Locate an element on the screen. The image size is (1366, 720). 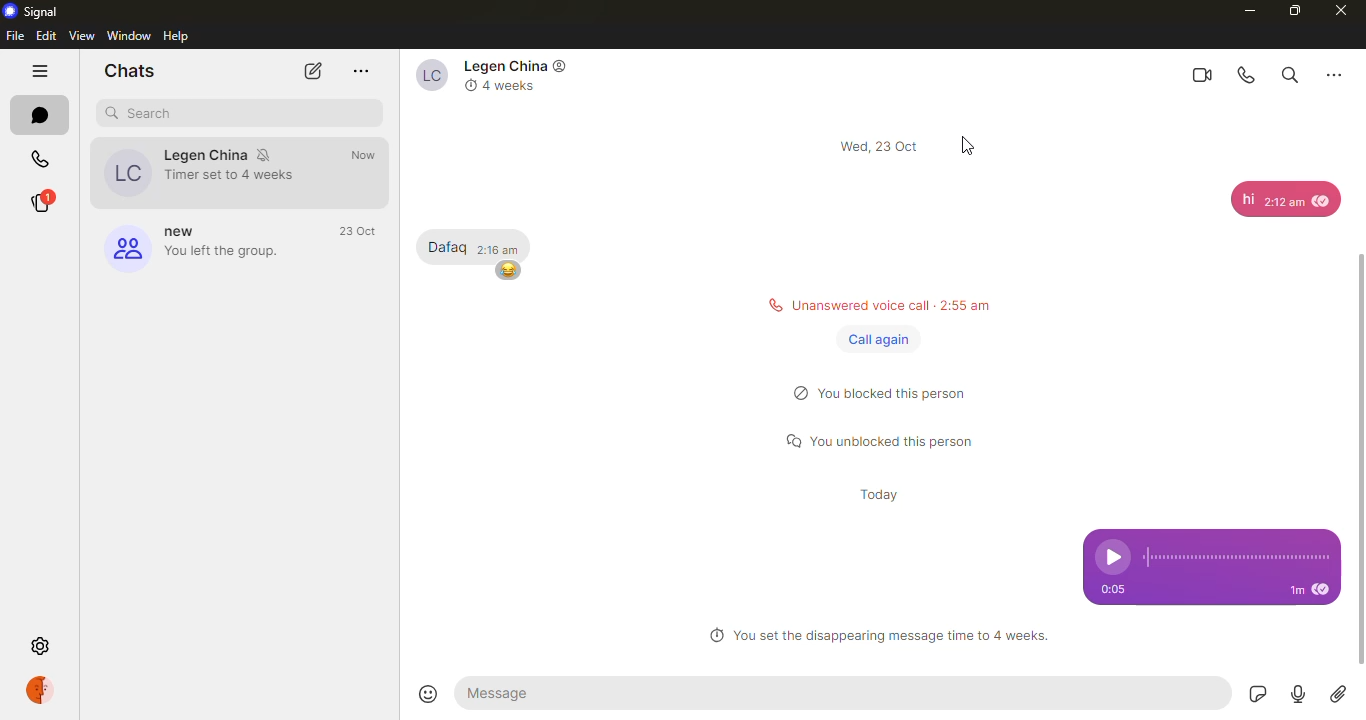
sticker is located at coordinates (1259, 694).